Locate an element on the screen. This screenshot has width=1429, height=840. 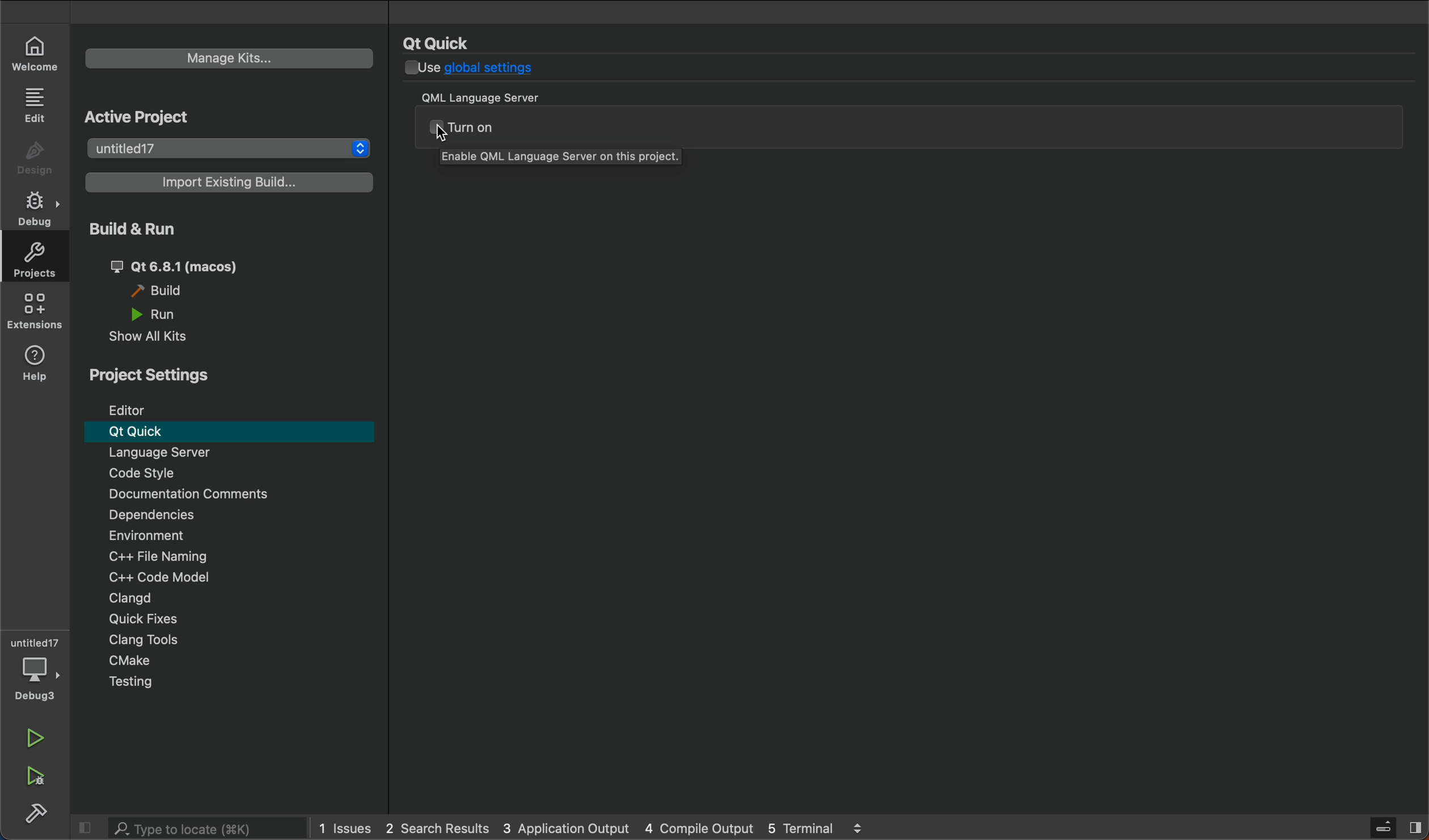
clangd is located at coordinates (232, 597).